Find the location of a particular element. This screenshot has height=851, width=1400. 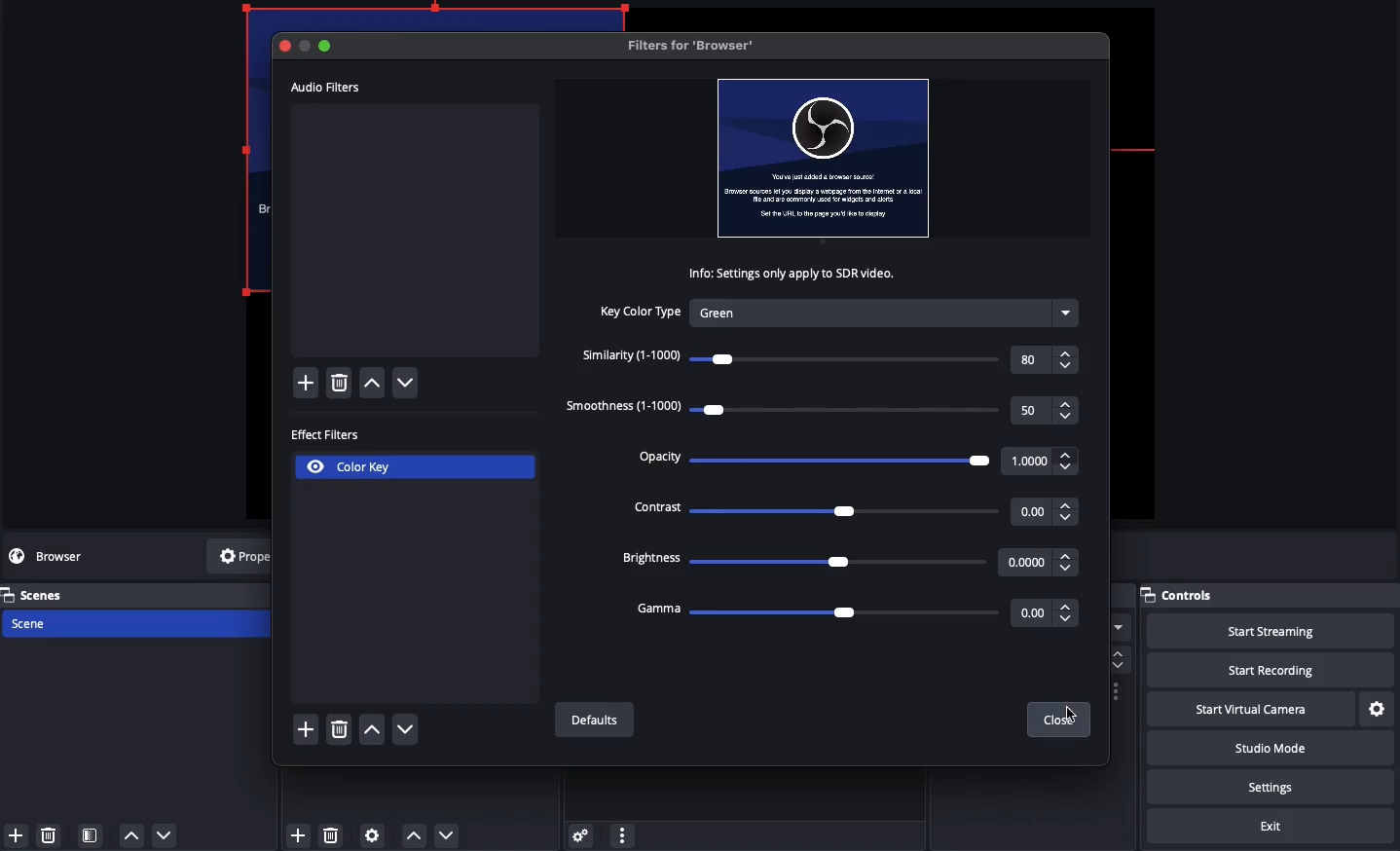

delete is located at coordinates (338, 384).